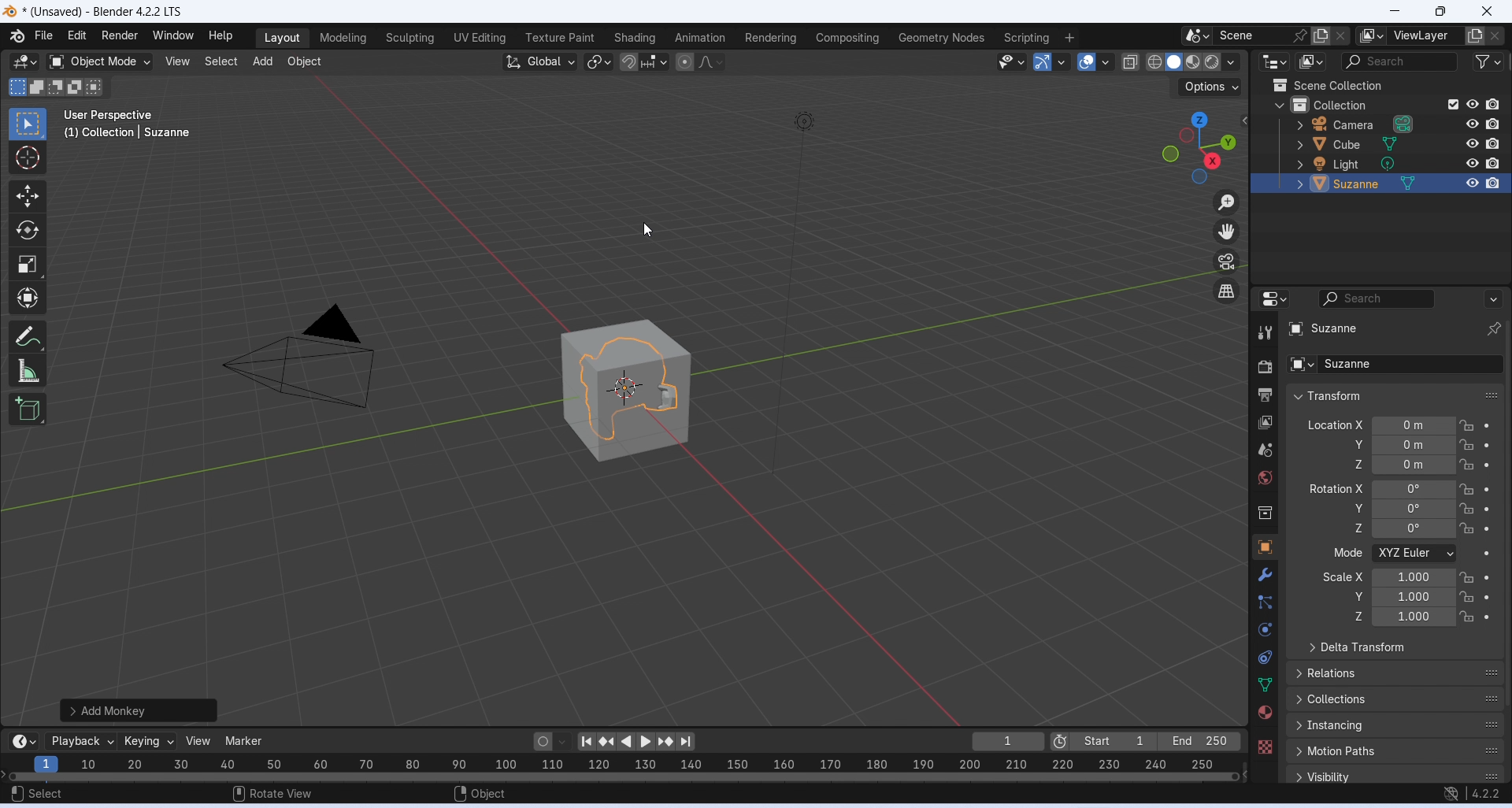  Describe the element at coordinates (1394, 364) in the screenshot. I see `suzanne` at that location.